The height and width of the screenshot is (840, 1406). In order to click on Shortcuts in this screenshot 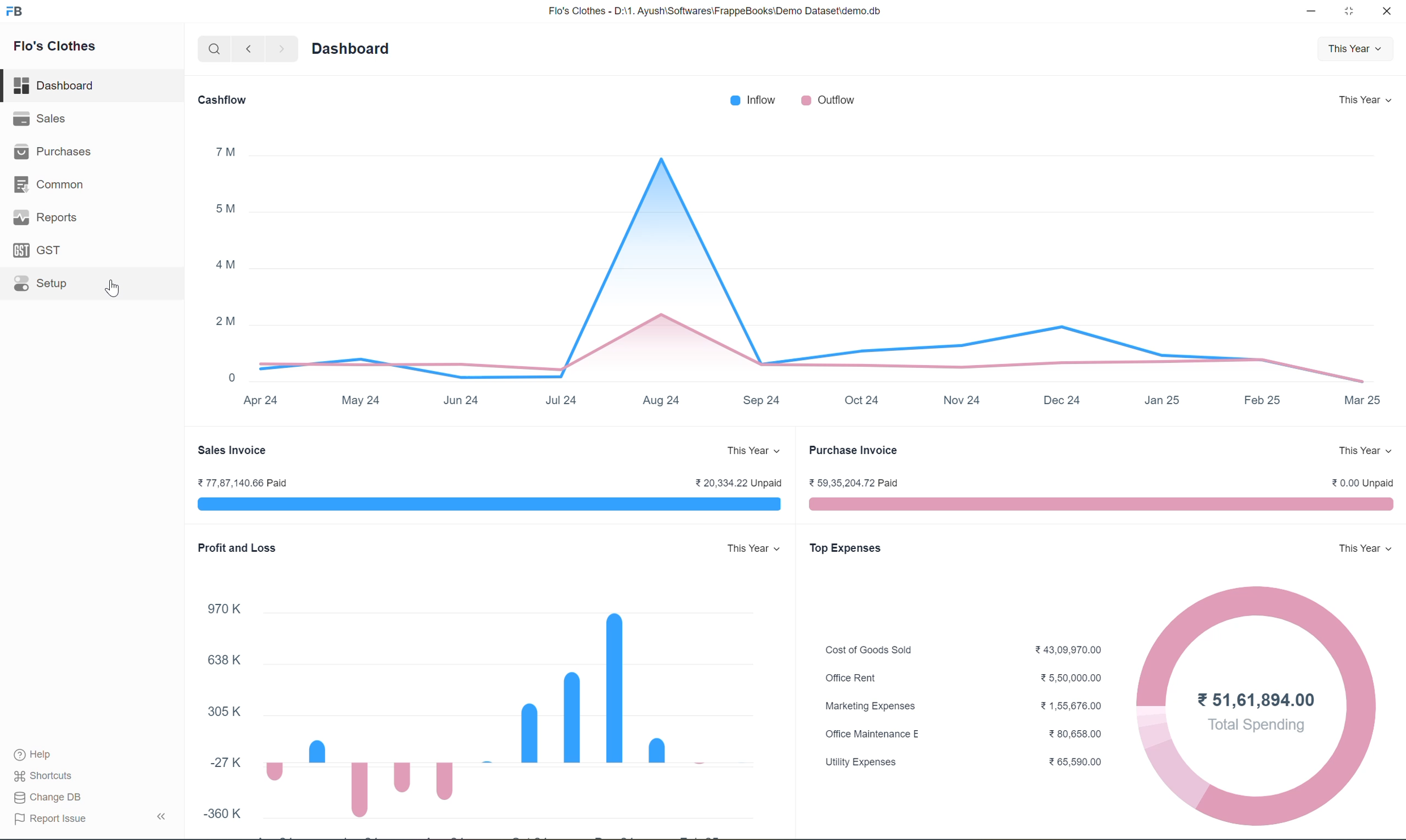, I will do `click(45, 775)`.